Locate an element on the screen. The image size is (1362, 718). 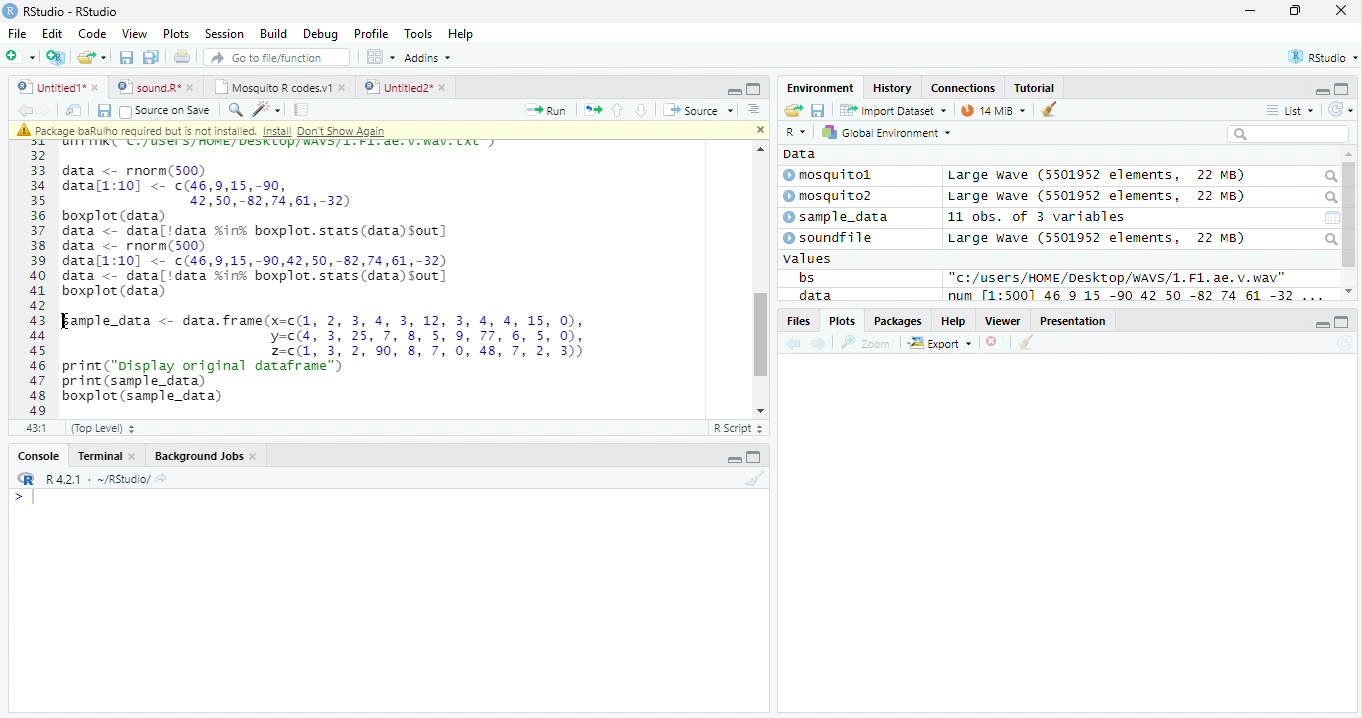
List is located at coordinates (1290, 110).